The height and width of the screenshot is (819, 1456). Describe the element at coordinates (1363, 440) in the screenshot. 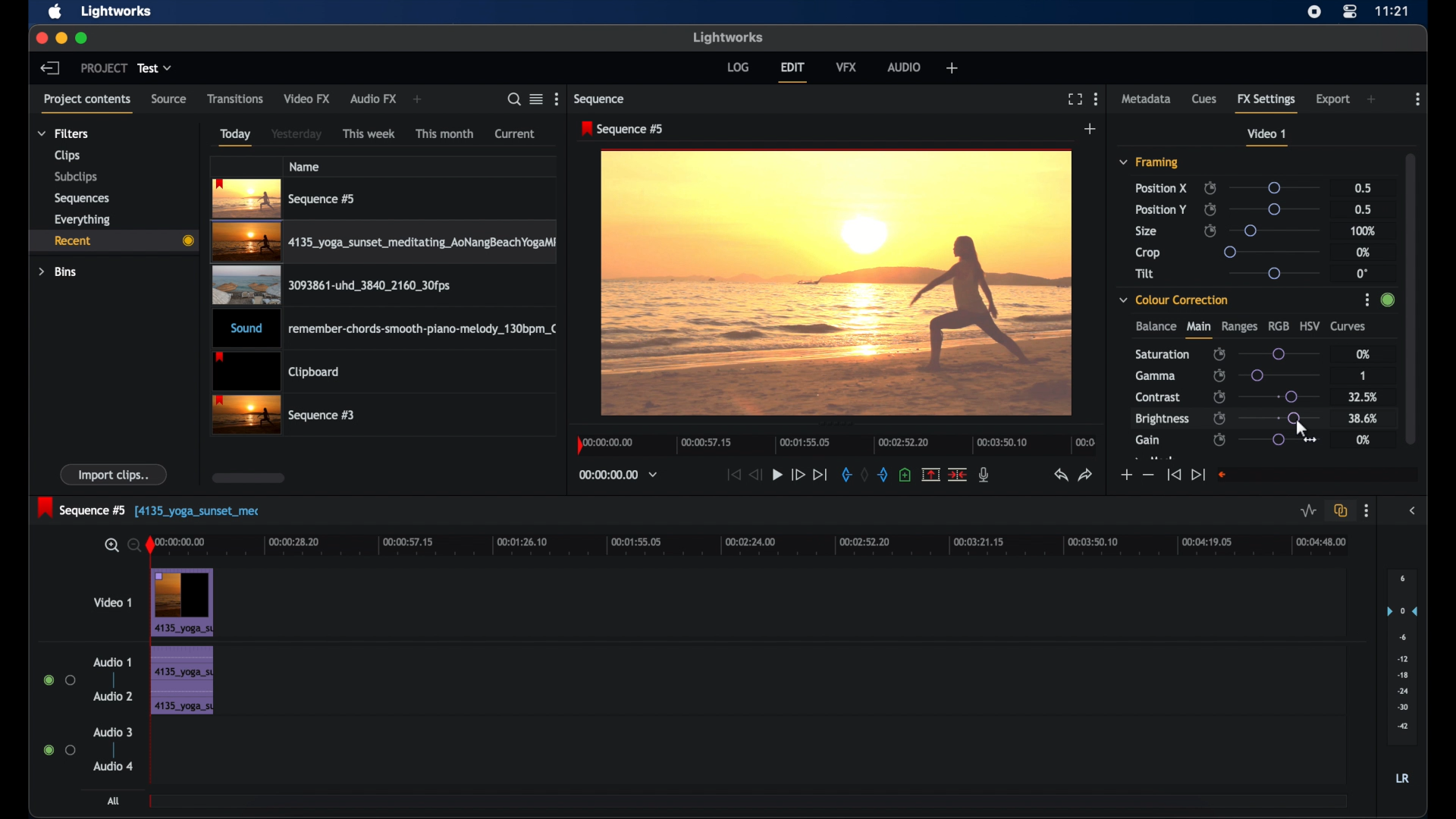

I see `0%` at that location.